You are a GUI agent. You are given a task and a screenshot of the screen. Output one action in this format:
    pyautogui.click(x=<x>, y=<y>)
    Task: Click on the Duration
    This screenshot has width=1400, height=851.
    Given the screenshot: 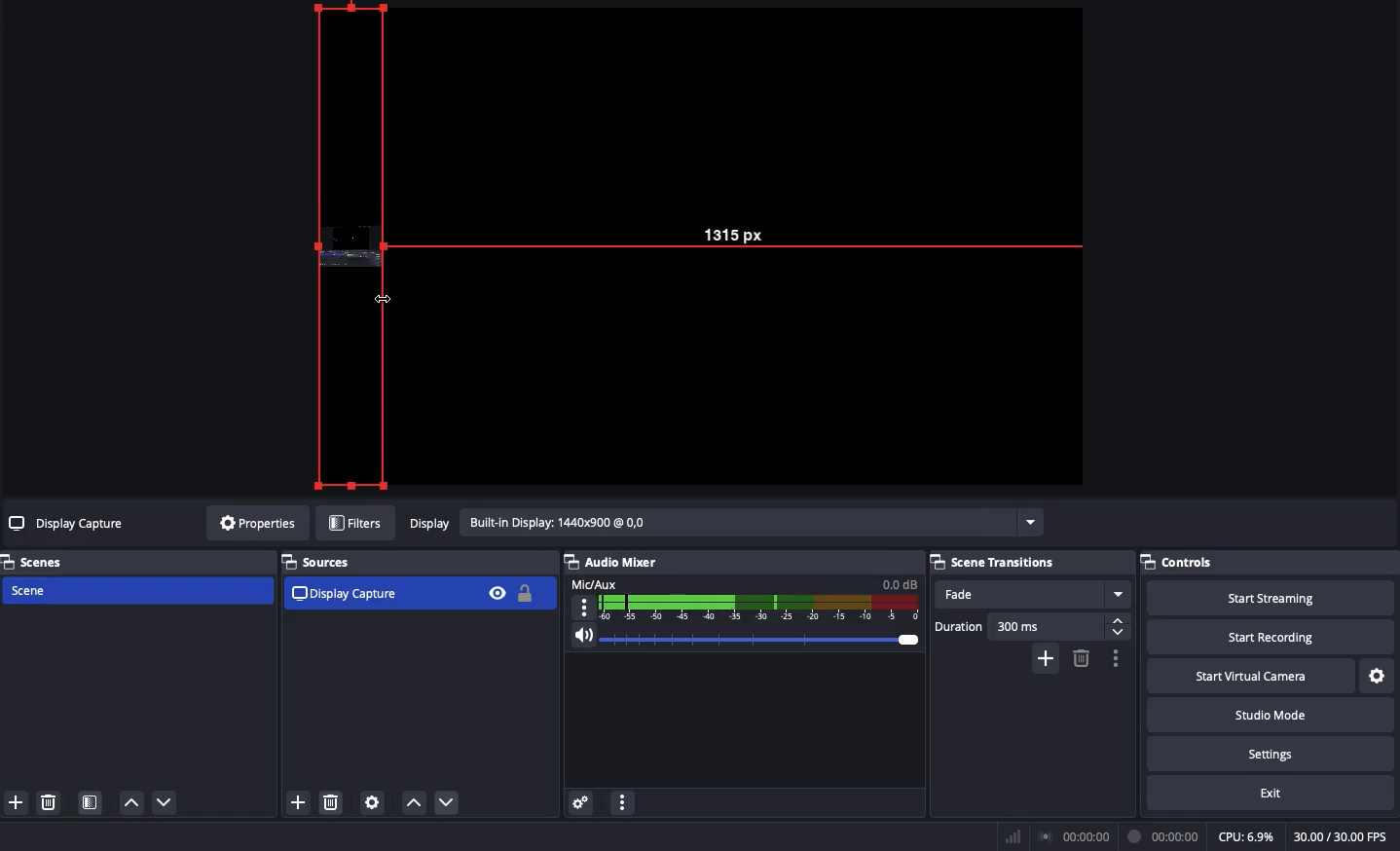 What is the action you would take?
    pyautogui.click(x=1032, y=628)
    